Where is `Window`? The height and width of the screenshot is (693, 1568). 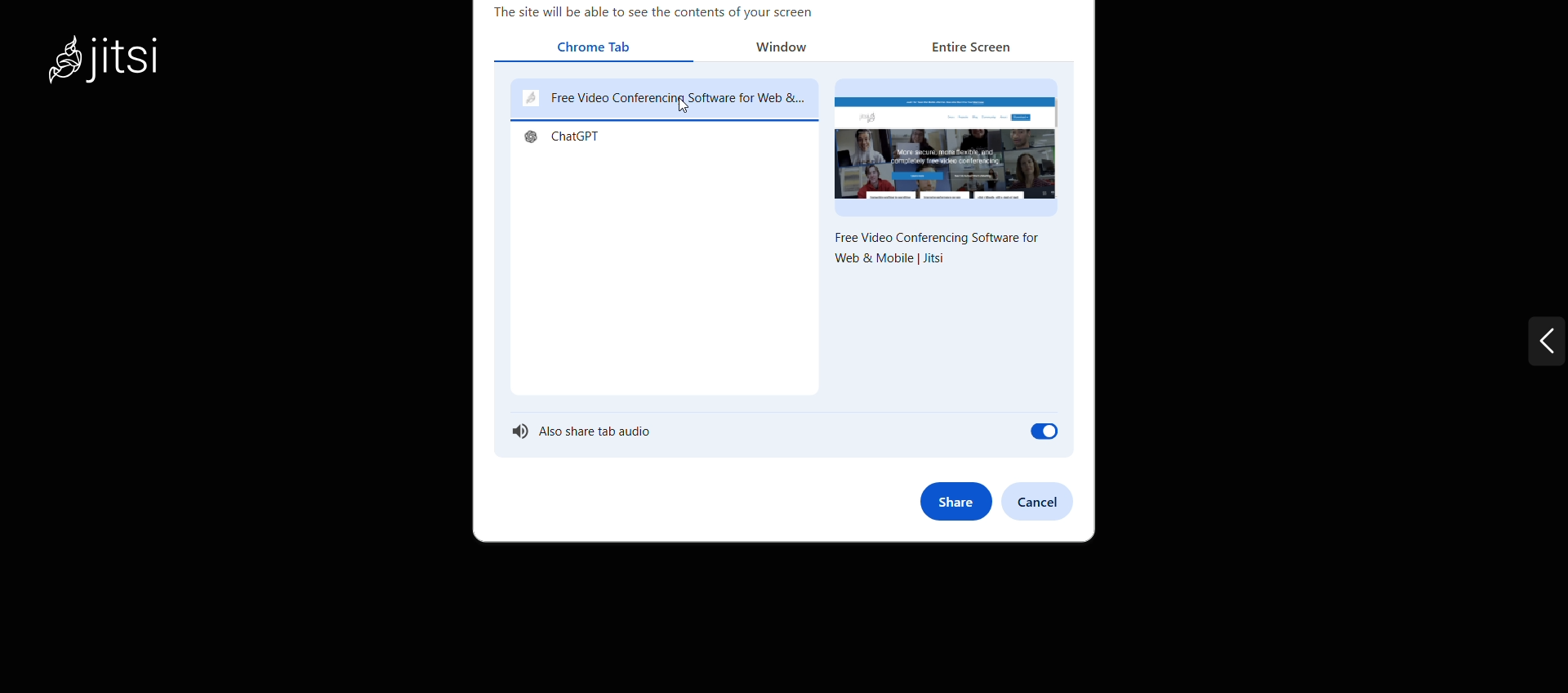
Window is located at coordinates (793, 48).